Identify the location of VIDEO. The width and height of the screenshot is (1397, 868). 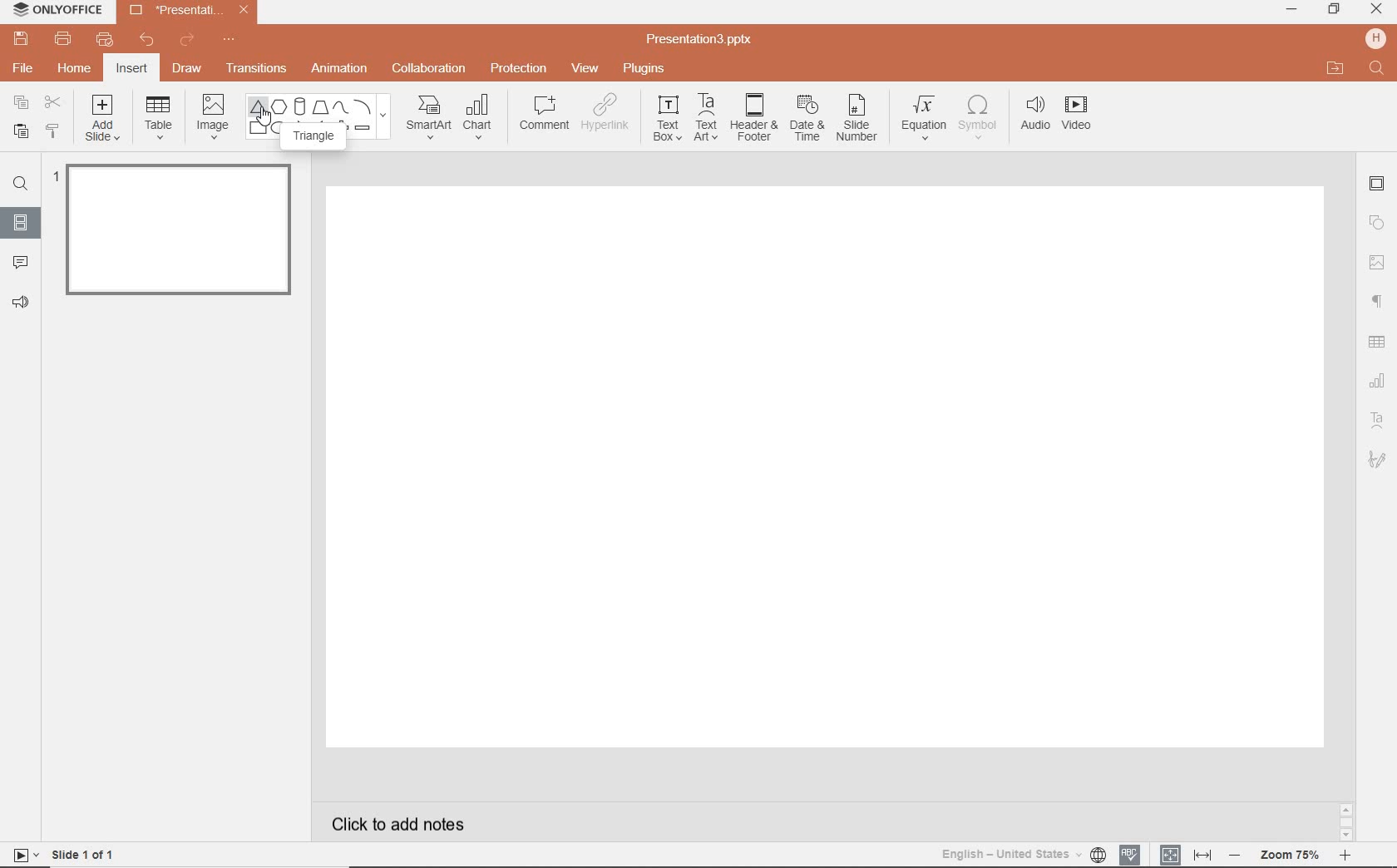
(1082, 116).